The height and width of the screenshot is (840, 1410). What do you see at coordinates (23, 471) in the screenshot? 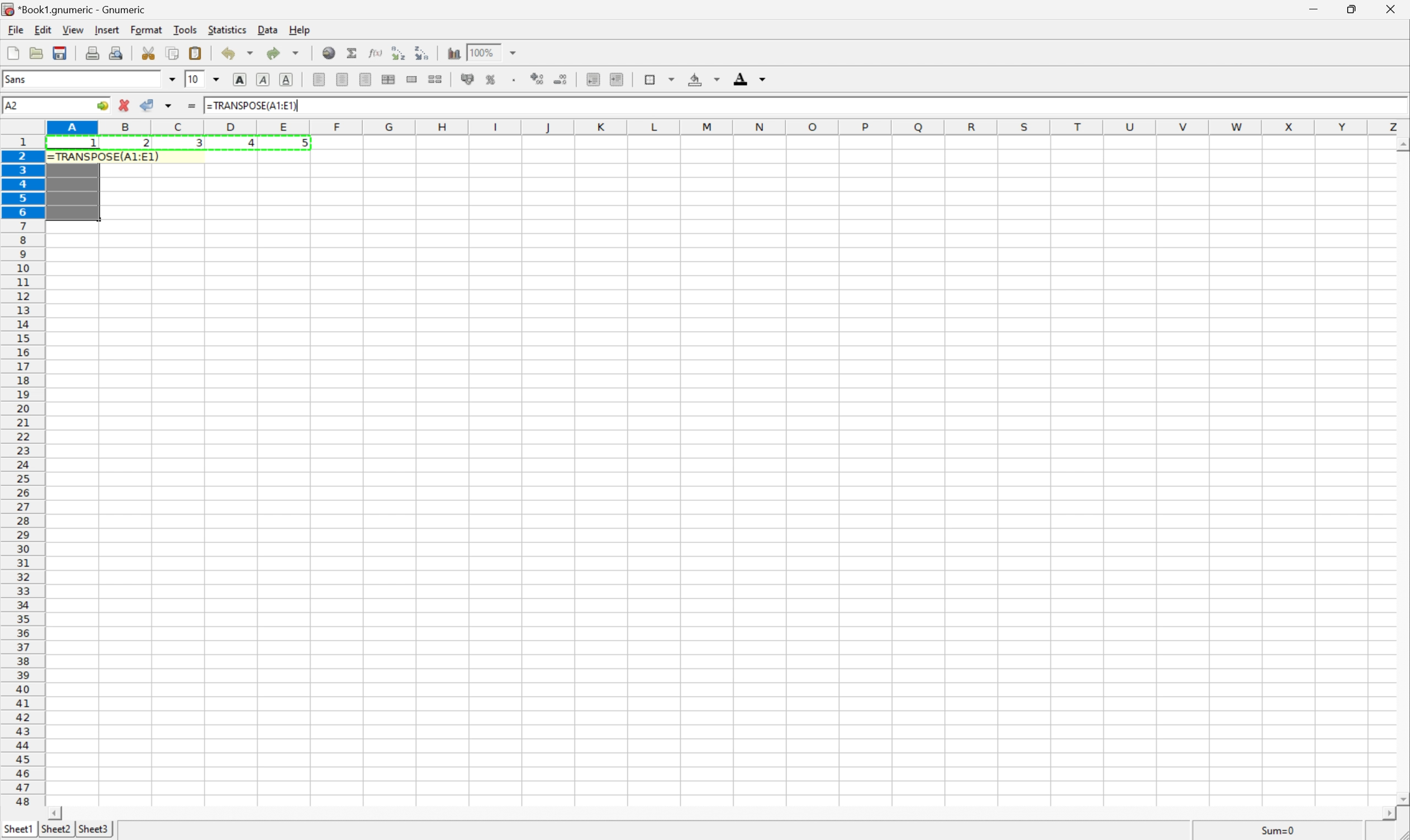
I see `row numbers` at bounding box center [23, 471].